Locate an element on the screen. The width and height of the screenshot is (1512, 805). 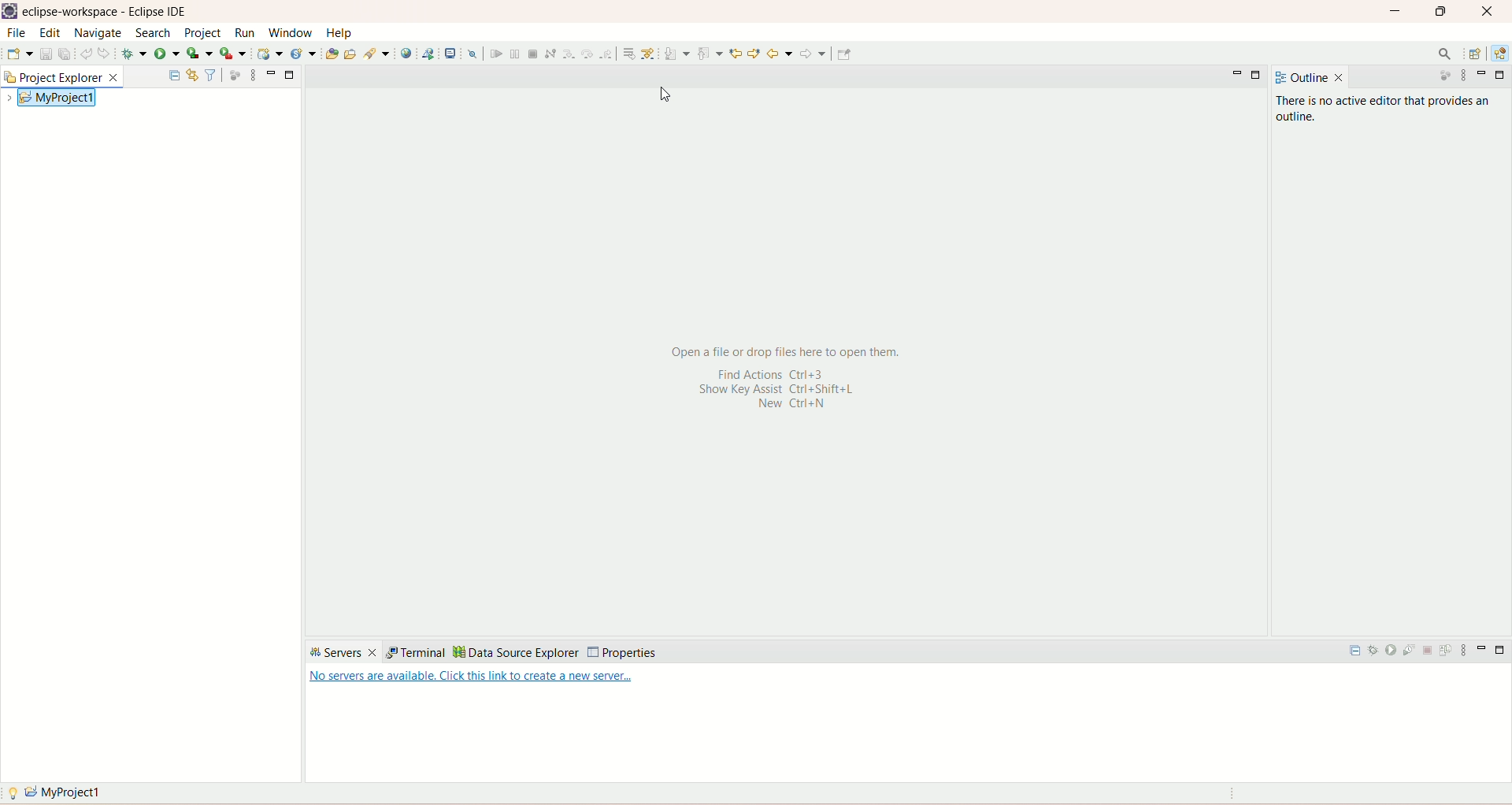
java EE is located at coordinates (1501, 53).